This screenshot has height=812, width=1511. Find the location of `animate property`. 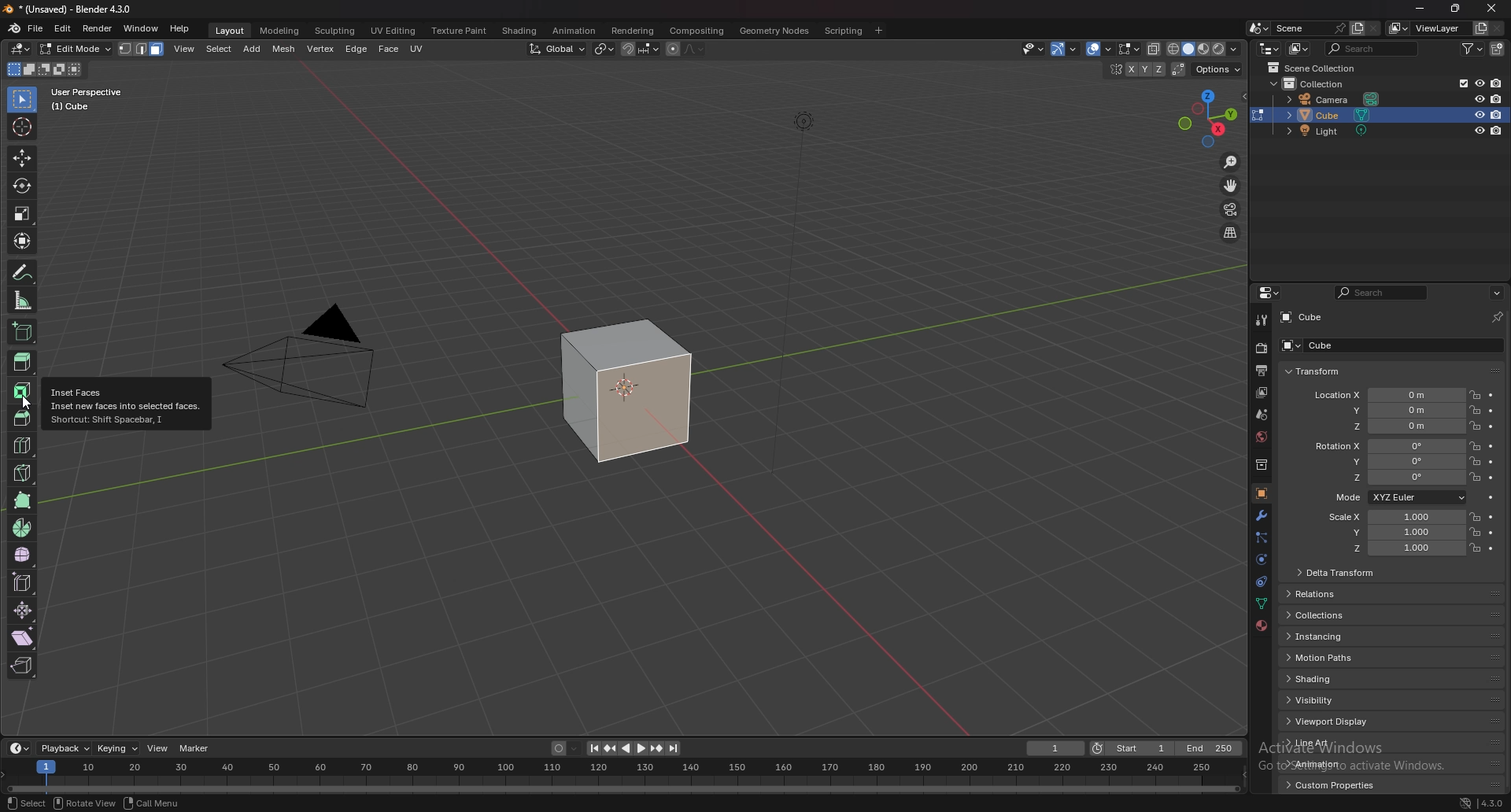

animate property is located at coordinates (1493, 549).